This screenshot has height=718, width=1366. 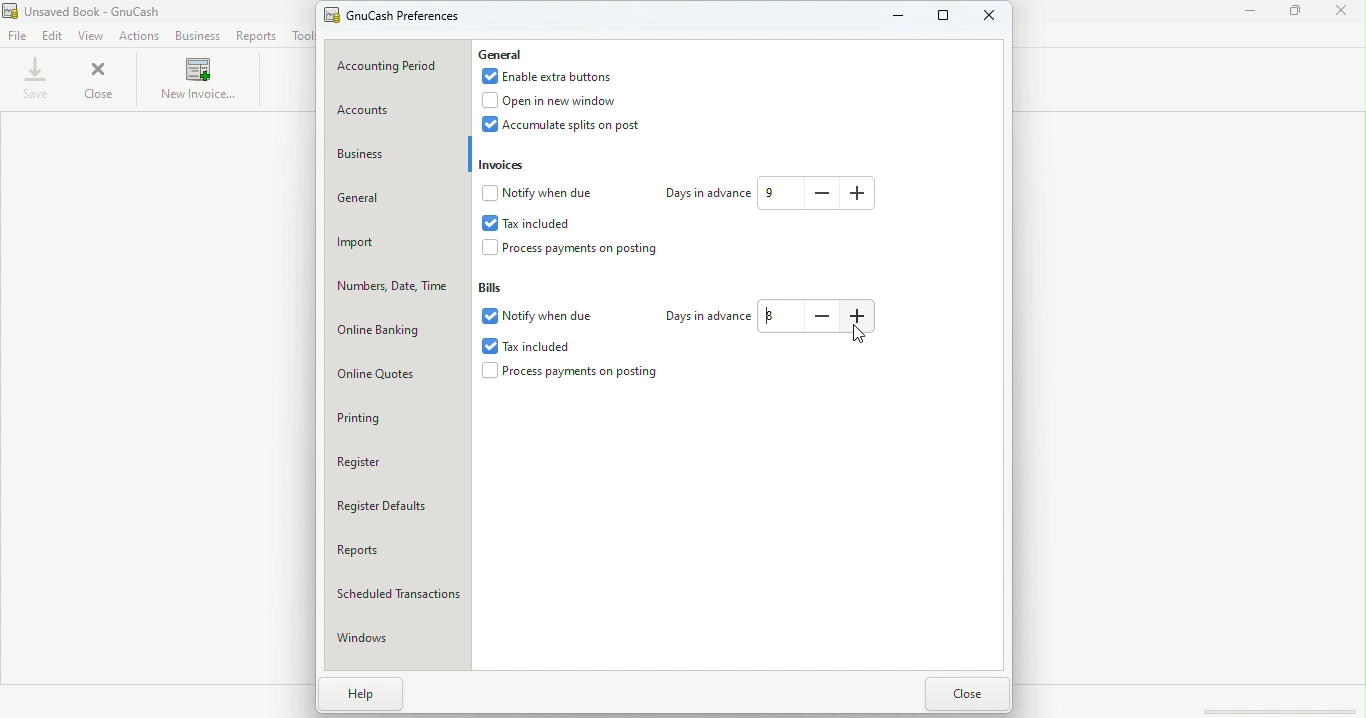 I want to click on Invoices, so click(x=517, y=165).